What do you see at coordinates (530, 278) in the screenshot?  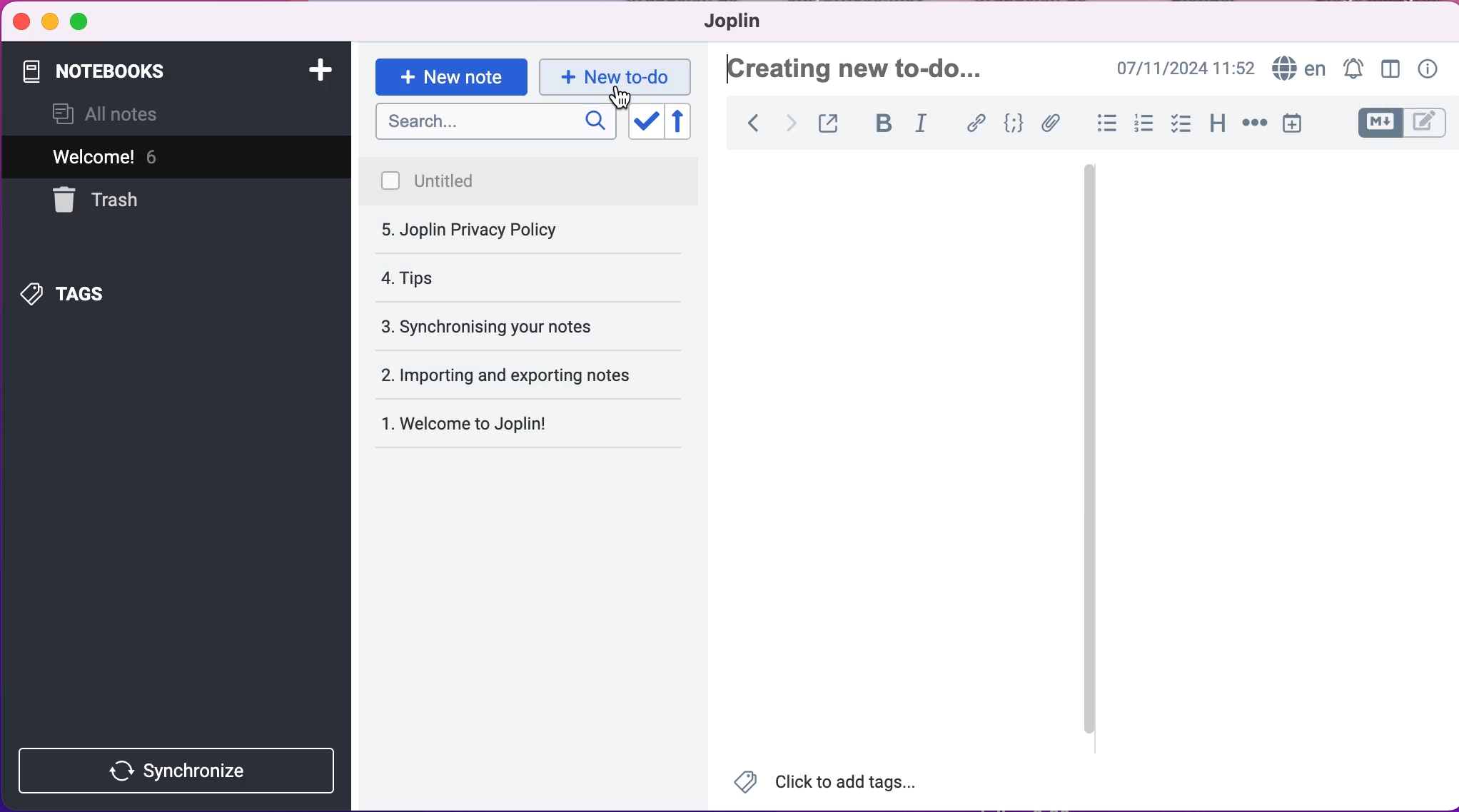 I see `synchronising your notes` at bounding box center [530, 278].